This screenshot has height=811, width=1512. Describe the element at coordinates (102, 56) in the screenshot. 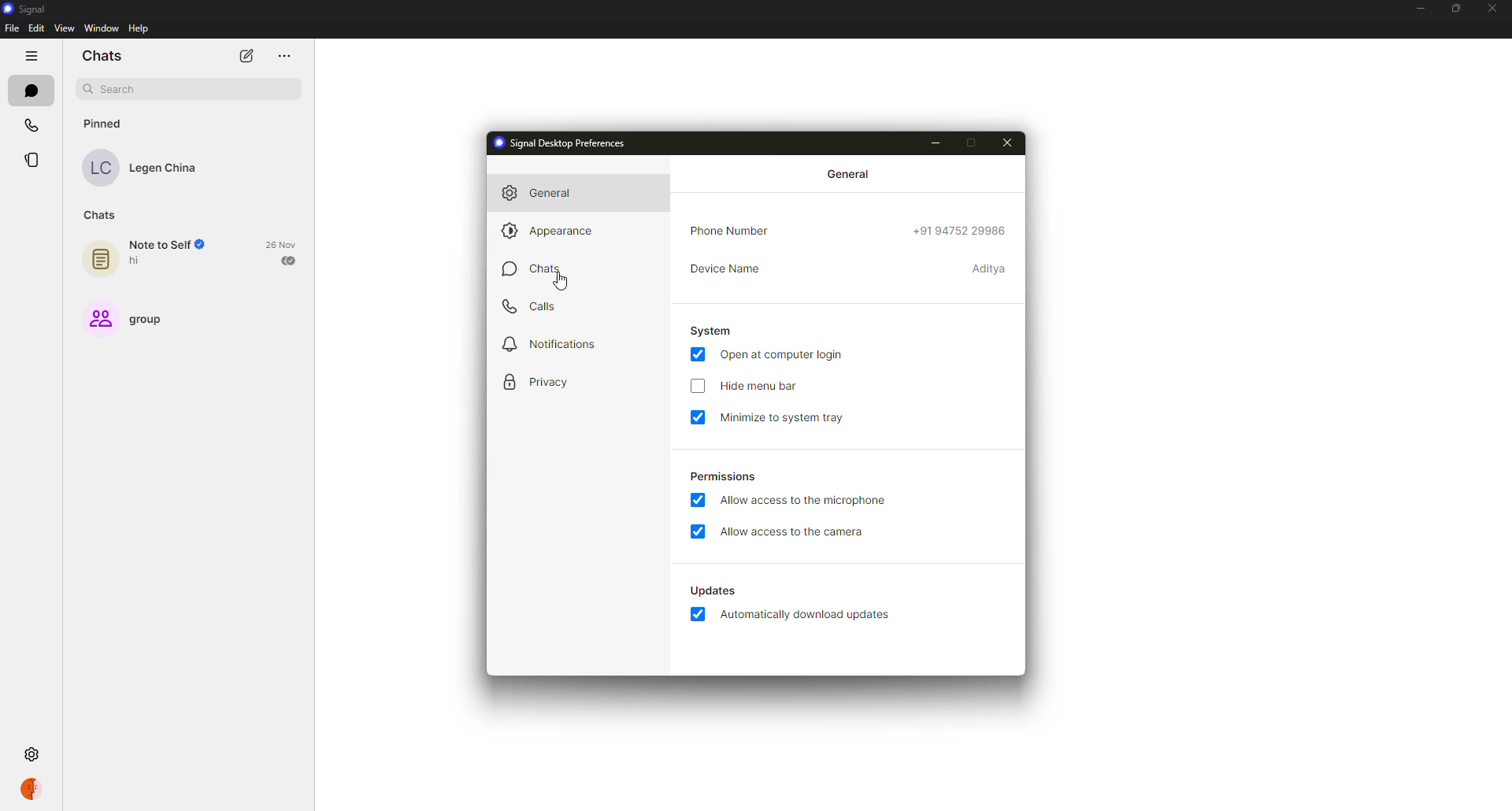

I see `chats` at that location.